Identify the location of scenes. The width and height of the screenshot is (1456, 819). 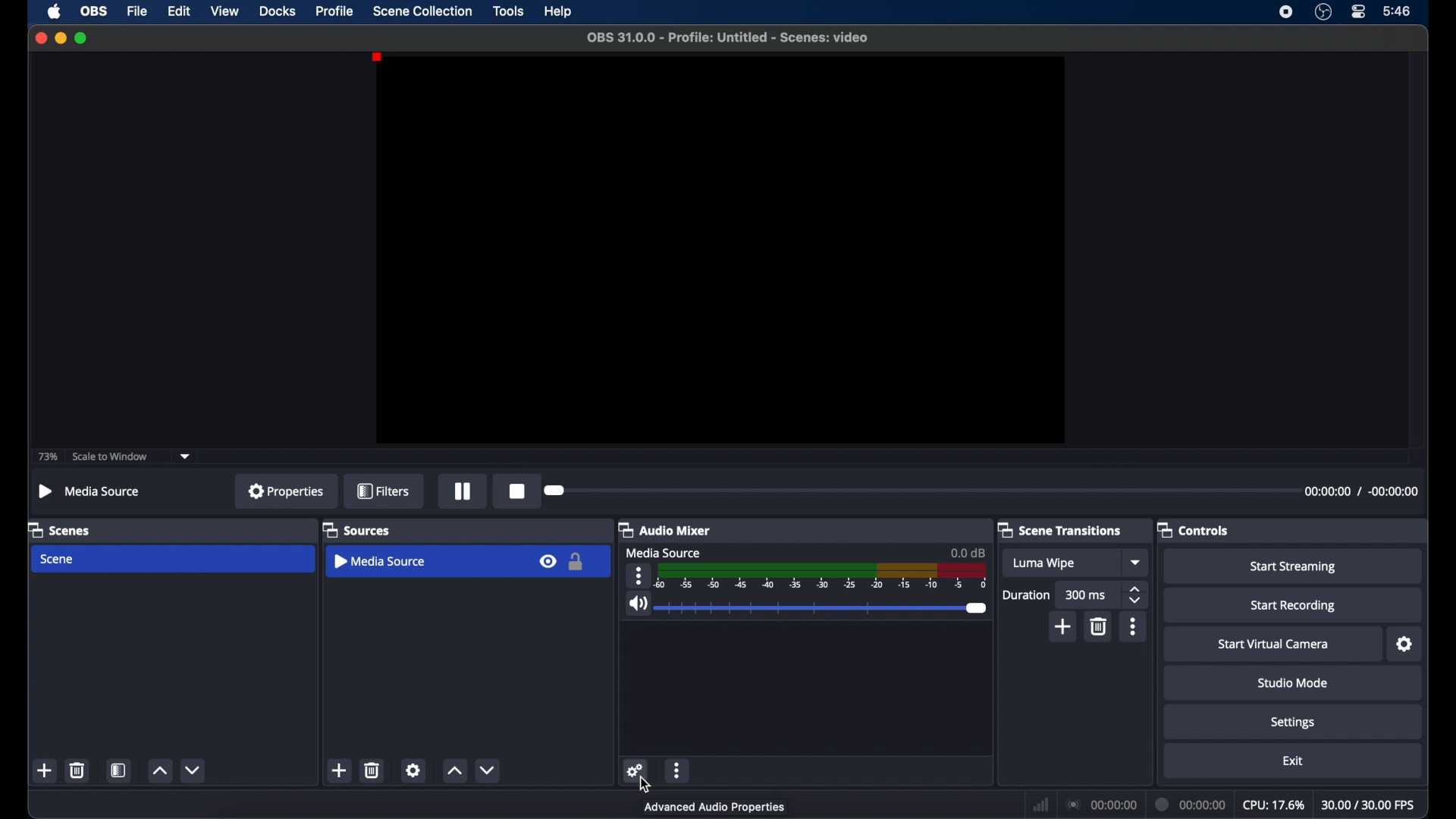
(62, 531).